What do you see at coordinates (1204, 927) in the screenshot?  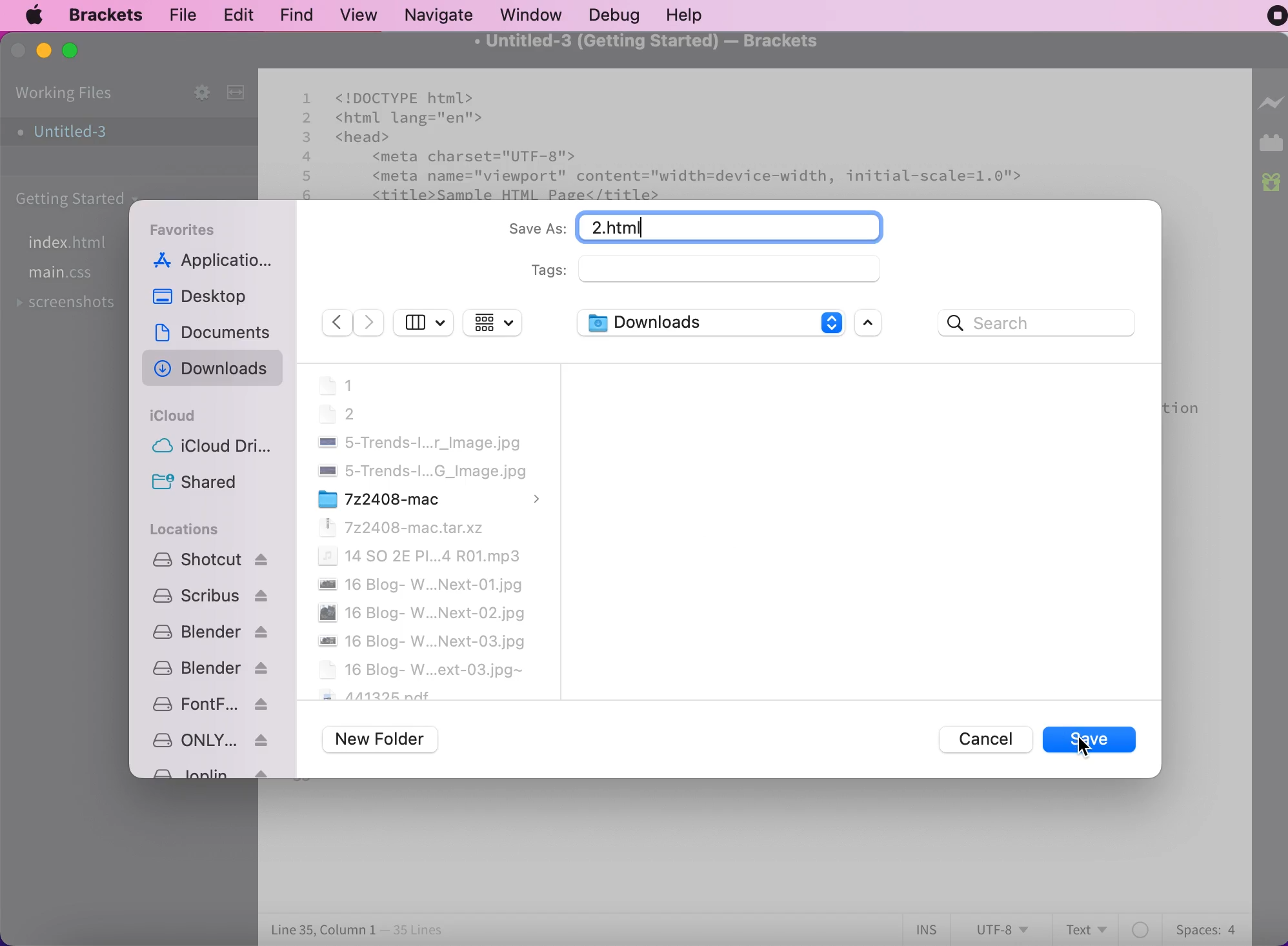 I see `spaces:4` at bounding box center [1204, 927].